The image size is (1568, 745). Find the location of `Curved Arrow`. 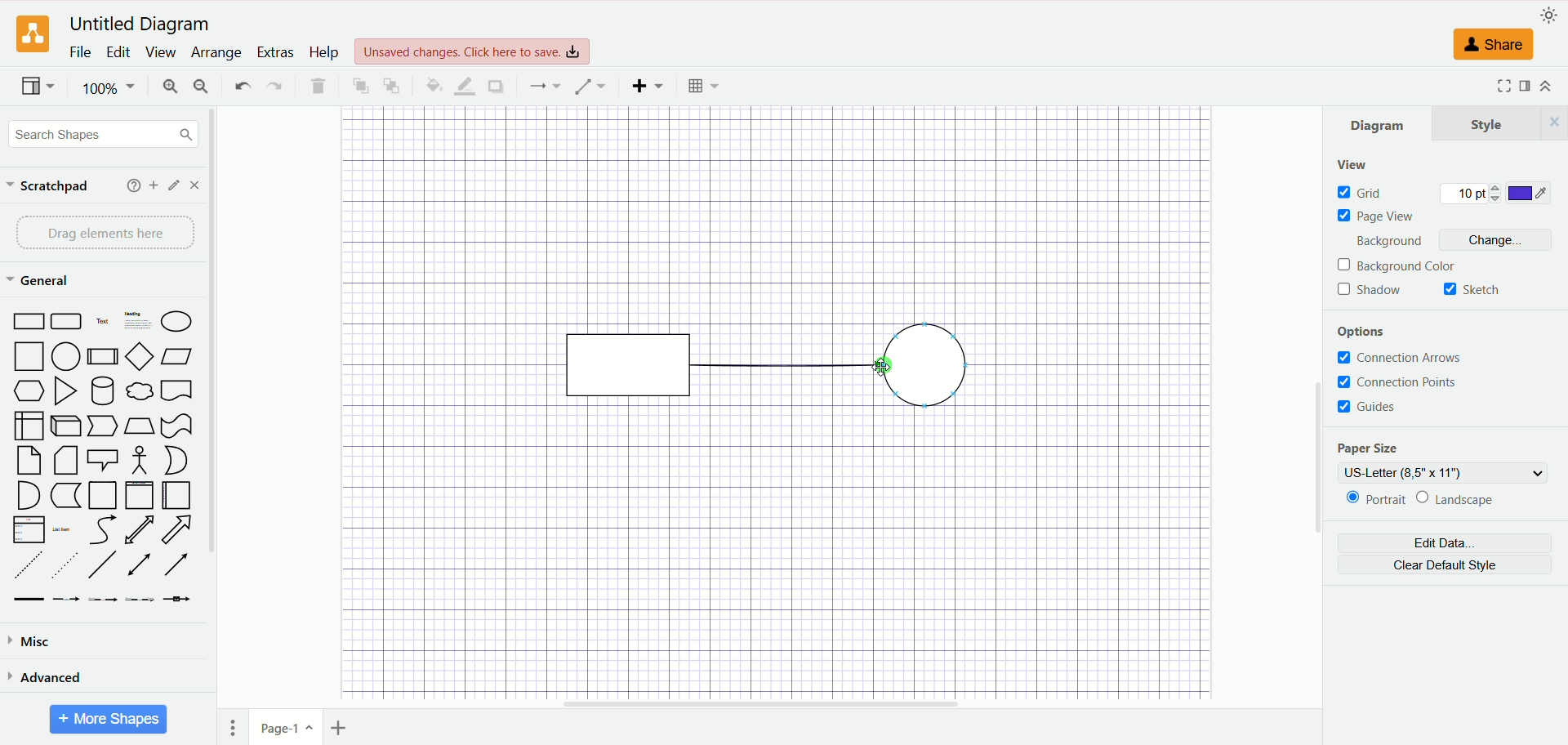

Curved Arrow is located at coordinates (105, 531).